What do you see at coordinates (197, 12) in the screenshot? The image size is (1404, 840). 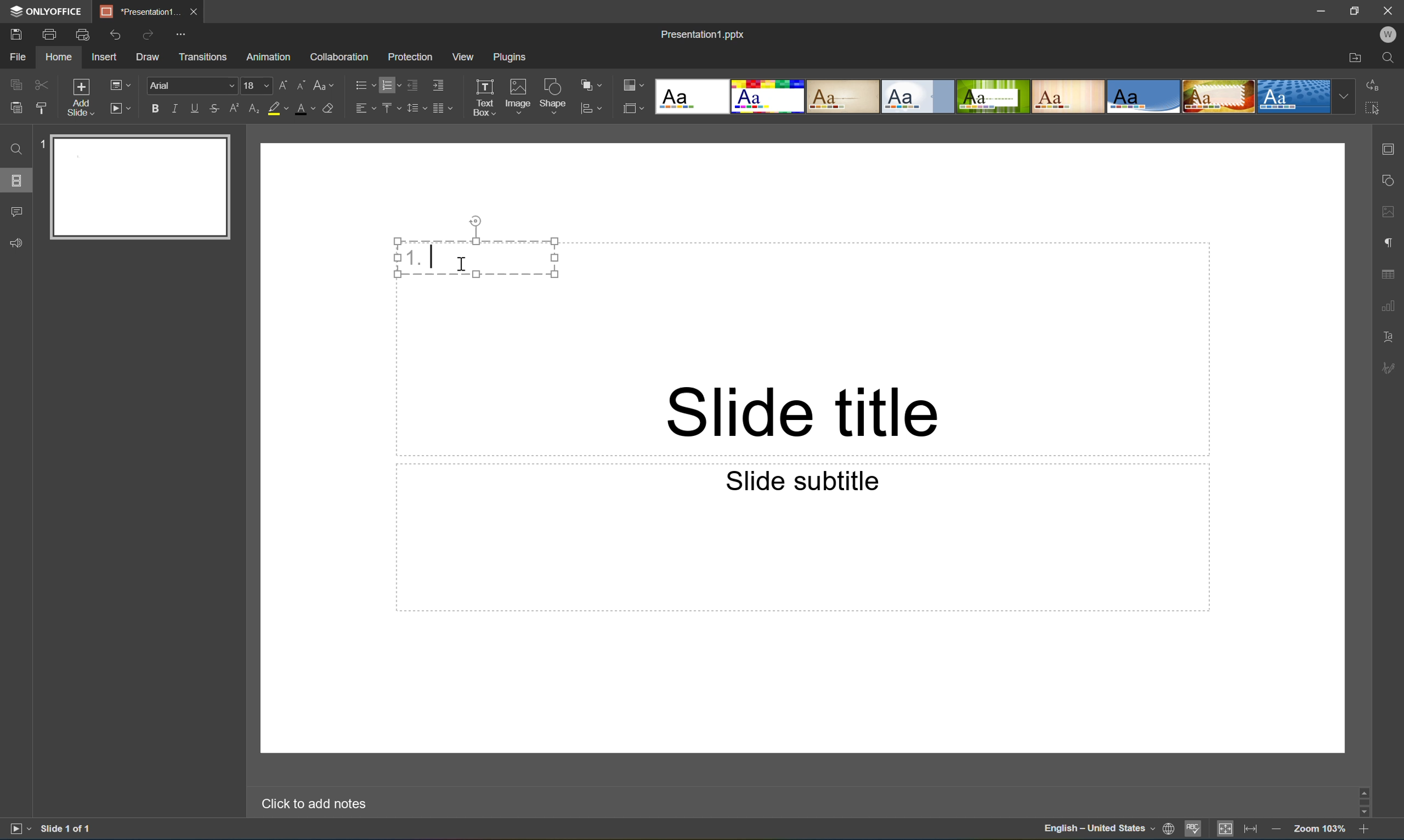 I see `Close` at bounding box center [197, 12].